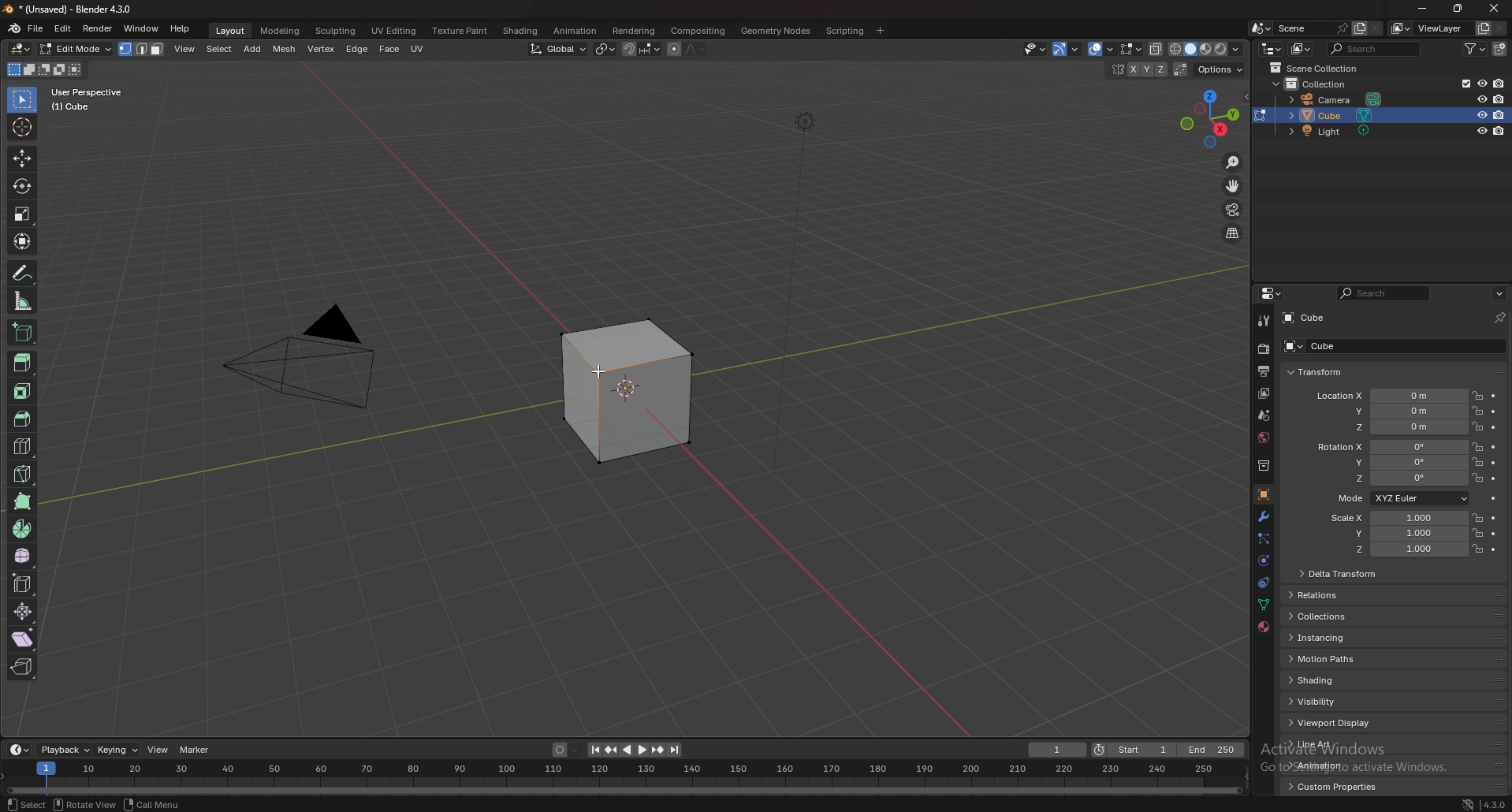 Image resolution: width=1512 pixels, height=812 pixels. I want to click on custom properties, so click(1339, 787).